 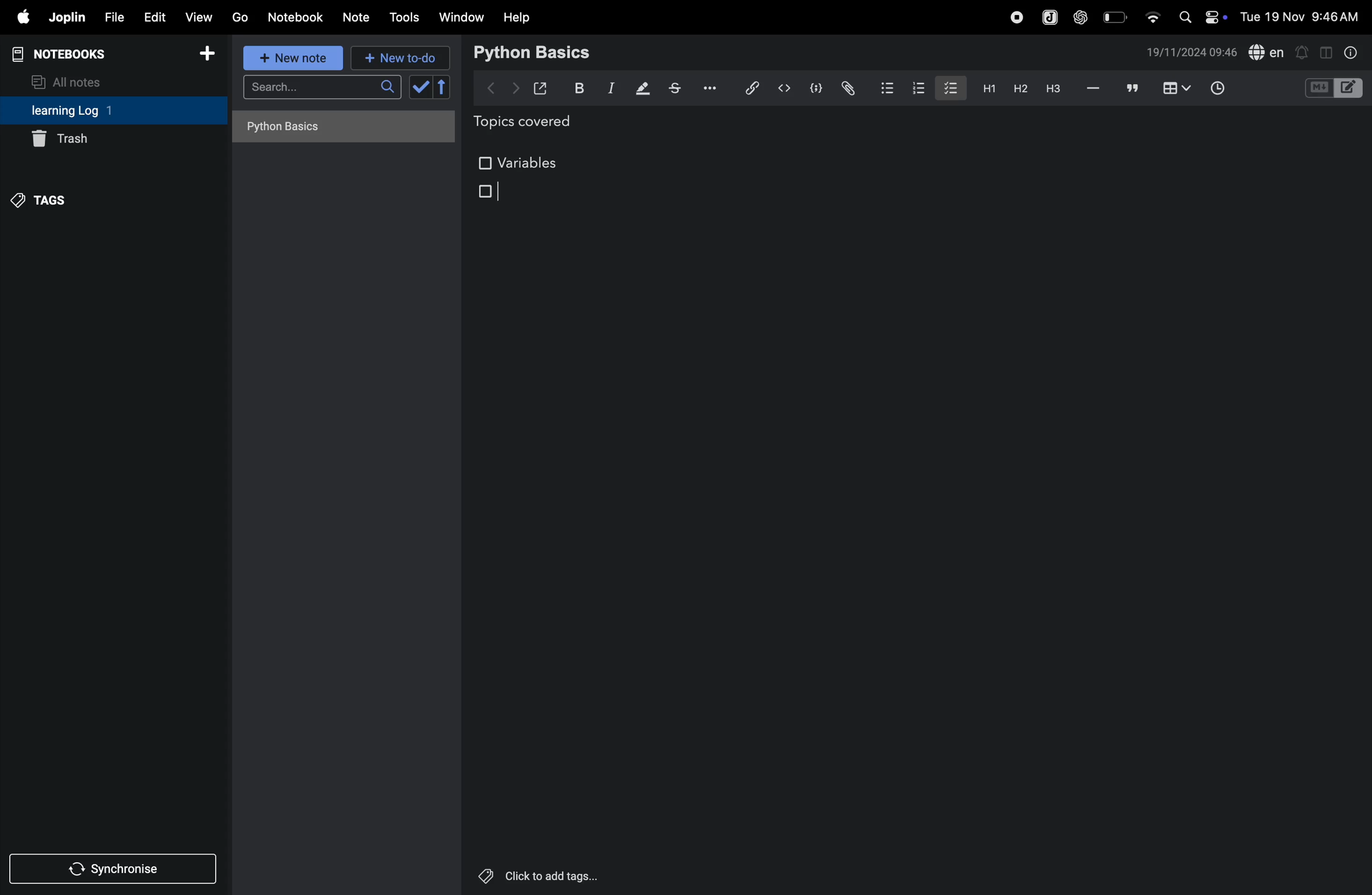 I want to click on click to add tags, so click(x=534, y=874).